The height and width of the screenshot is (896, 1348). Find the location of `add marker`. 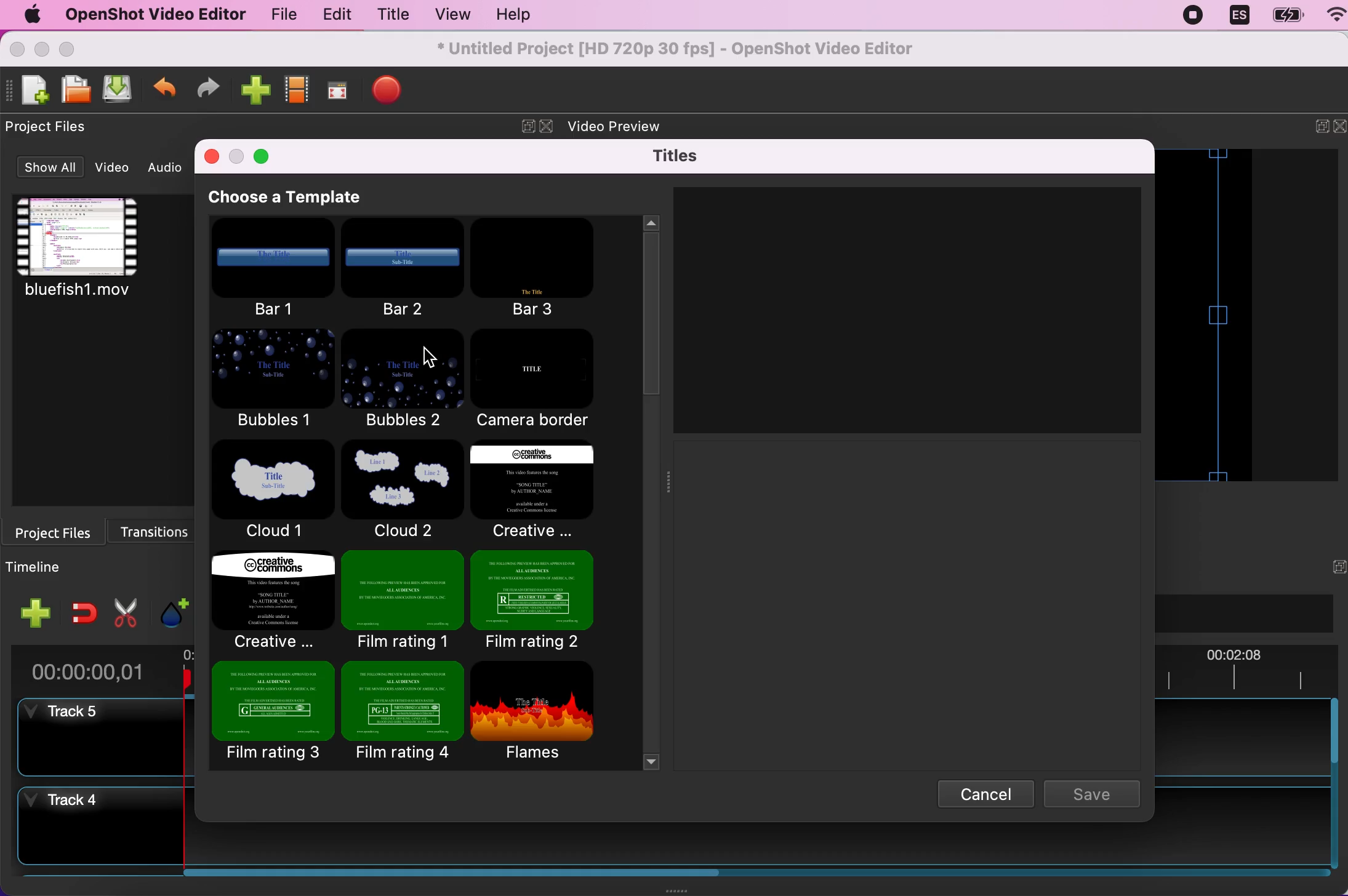

add marker is located at coordinates (173, 607).